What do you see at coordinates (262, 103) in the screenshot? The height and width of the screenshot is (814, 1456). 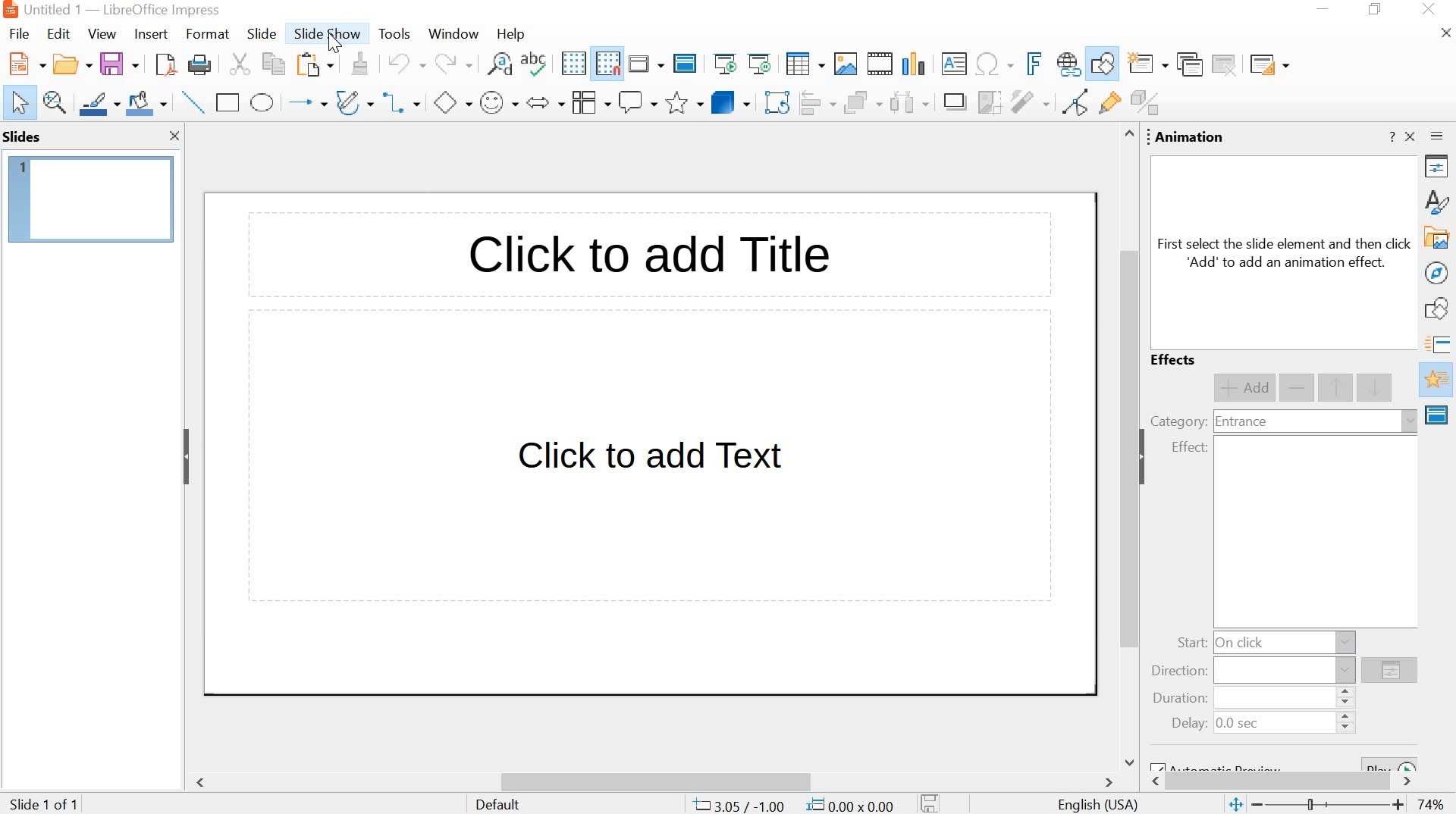 I see `ellipse` at bounding box center [262, 103].